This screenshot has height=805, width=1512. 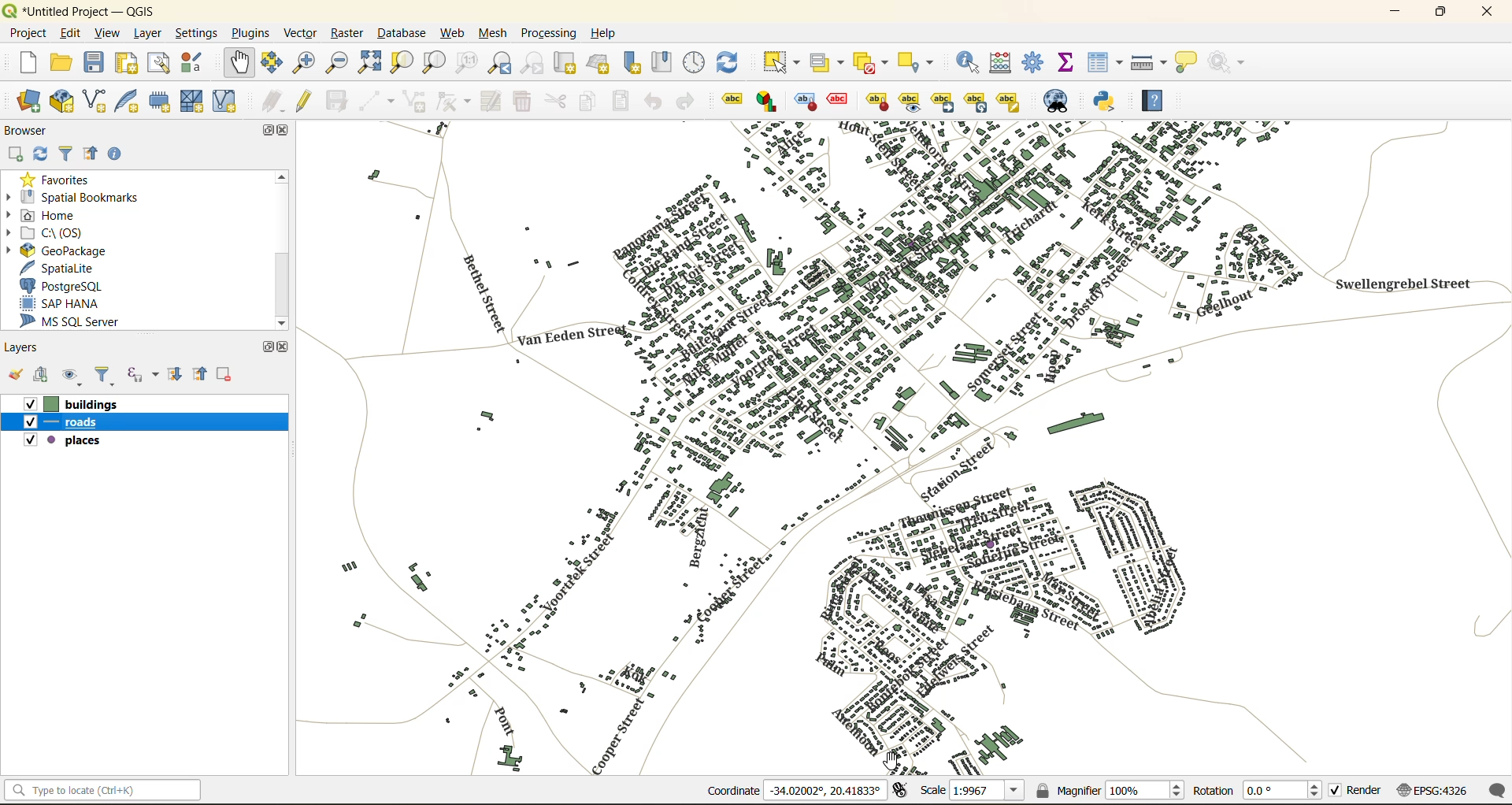 What do you see at coordinates (80, 10) in the screenshot?
I see `file name and app name` at bounding box center [80, 10].